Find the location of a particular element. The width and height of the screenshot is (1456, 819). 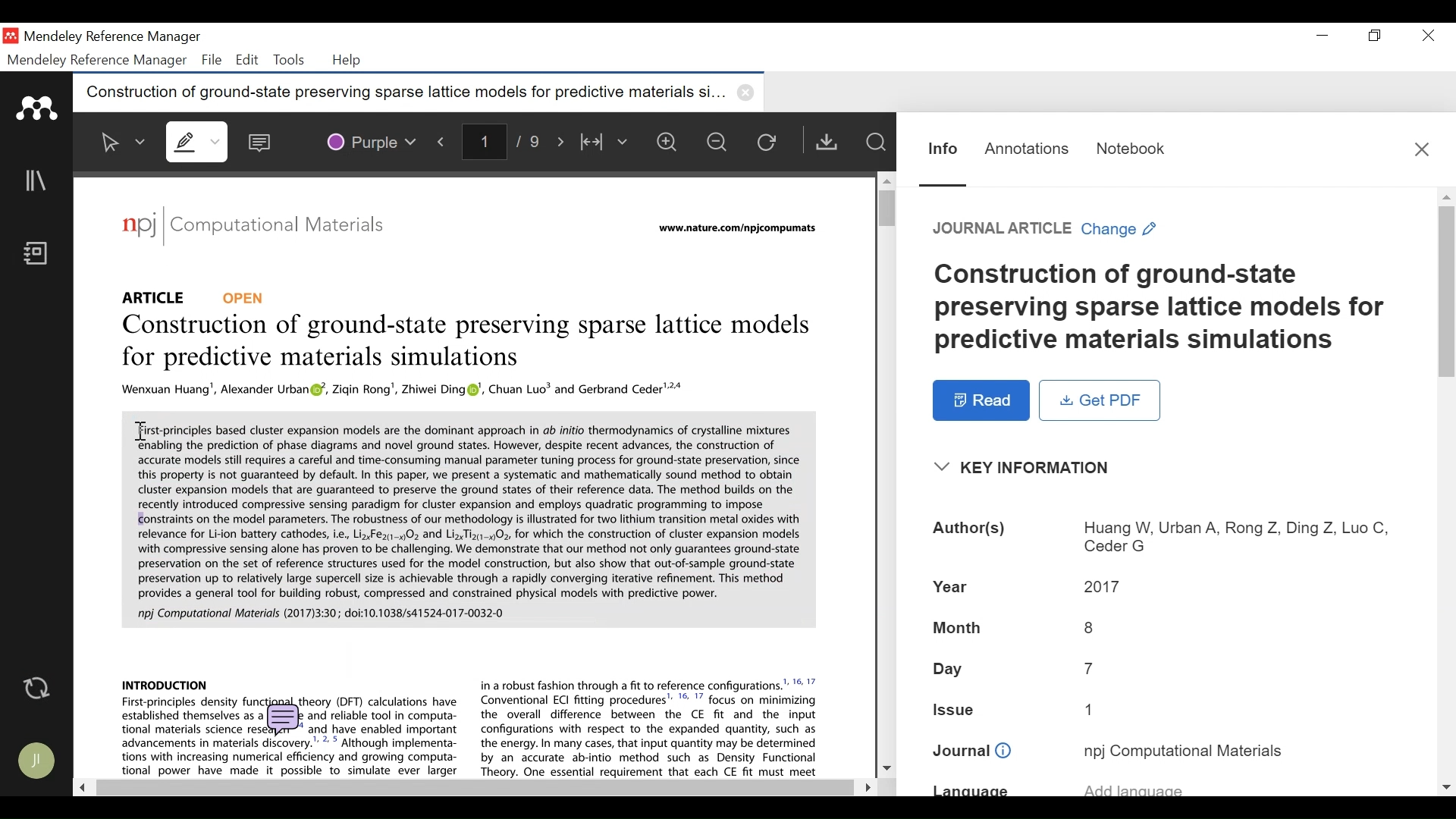

Journal is located at coordinates (289, 227).